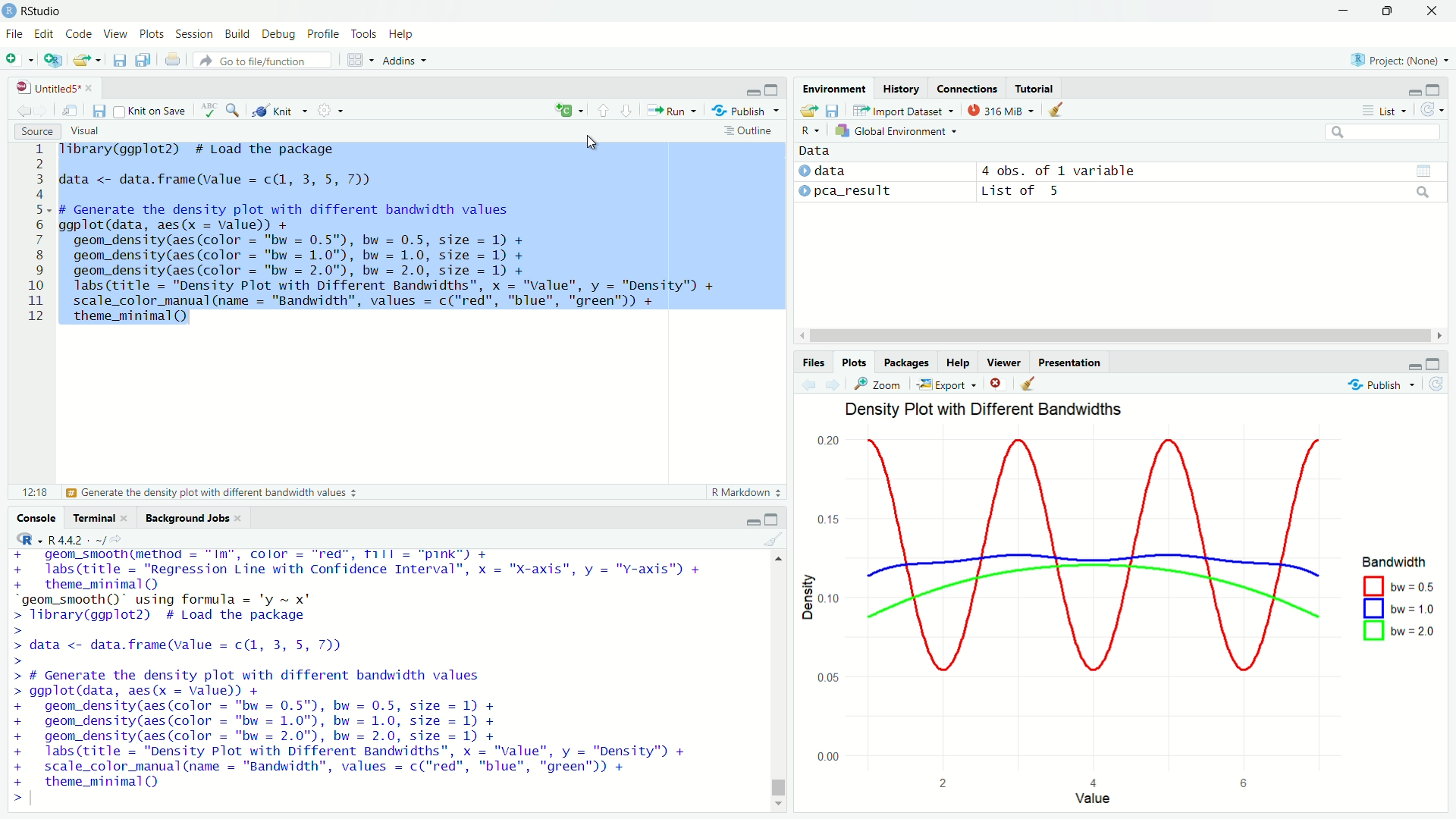  I want to click on Open an existing file, so click(80, 60).